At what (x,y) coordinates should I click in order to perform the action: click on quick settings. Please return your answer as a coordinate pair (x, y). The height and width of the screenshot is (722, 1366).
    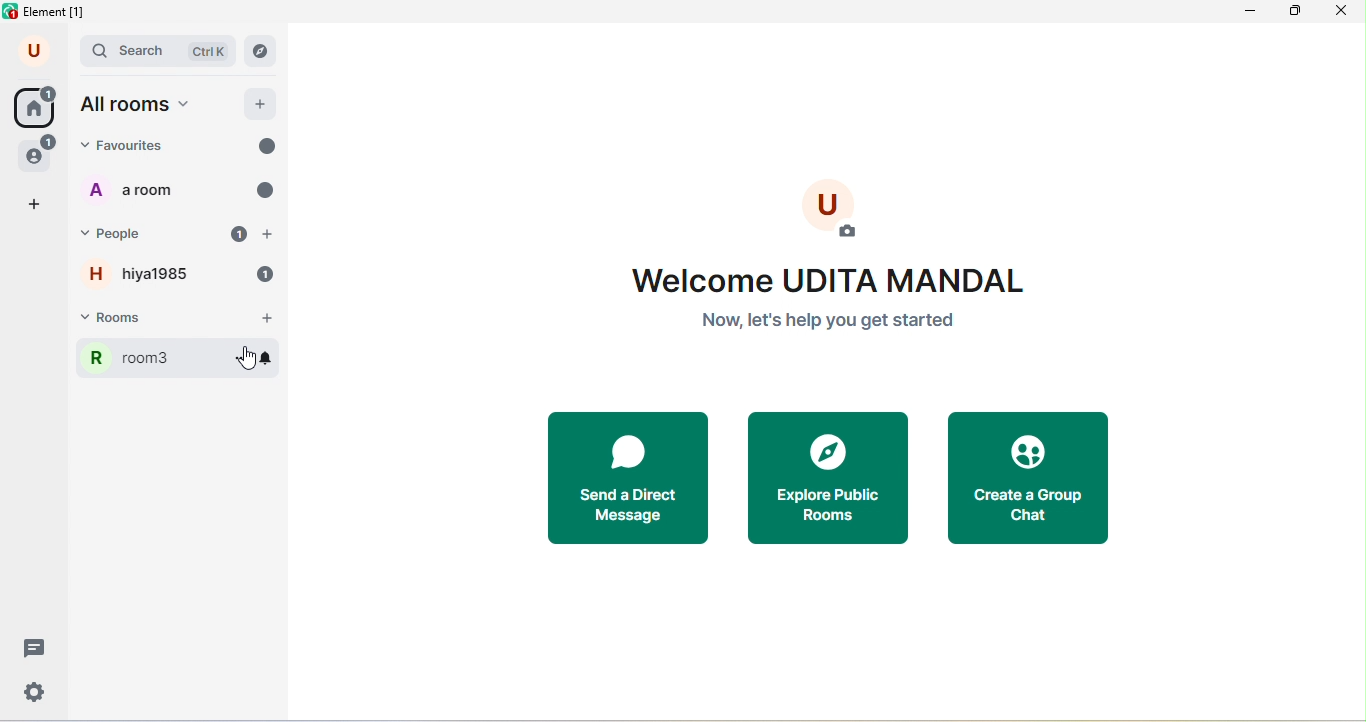
    Looking at the image, I should click on (36, 692).